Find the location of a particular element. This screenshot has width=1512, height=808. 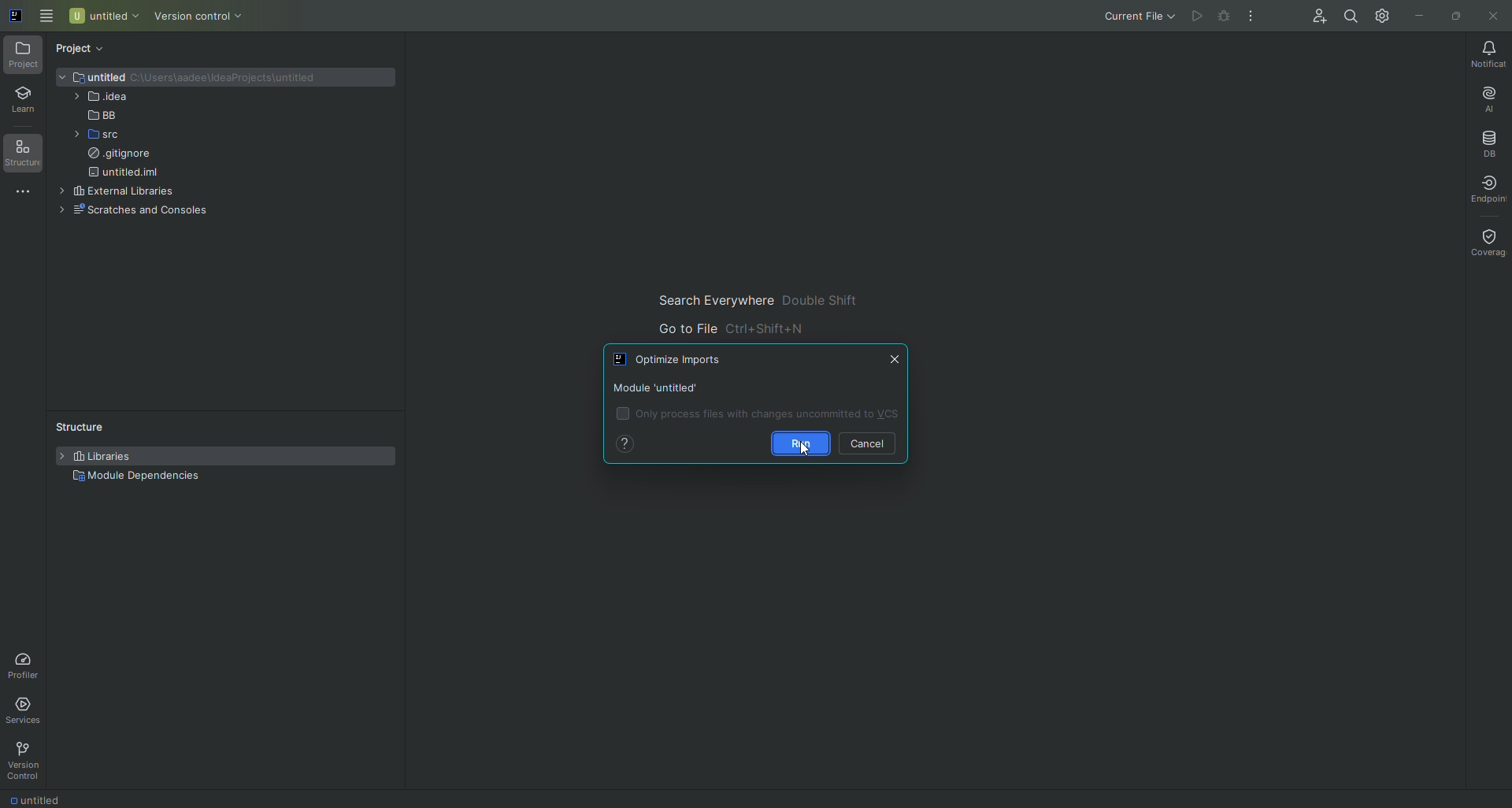

Notifications is located at coordinates (1484, 54).